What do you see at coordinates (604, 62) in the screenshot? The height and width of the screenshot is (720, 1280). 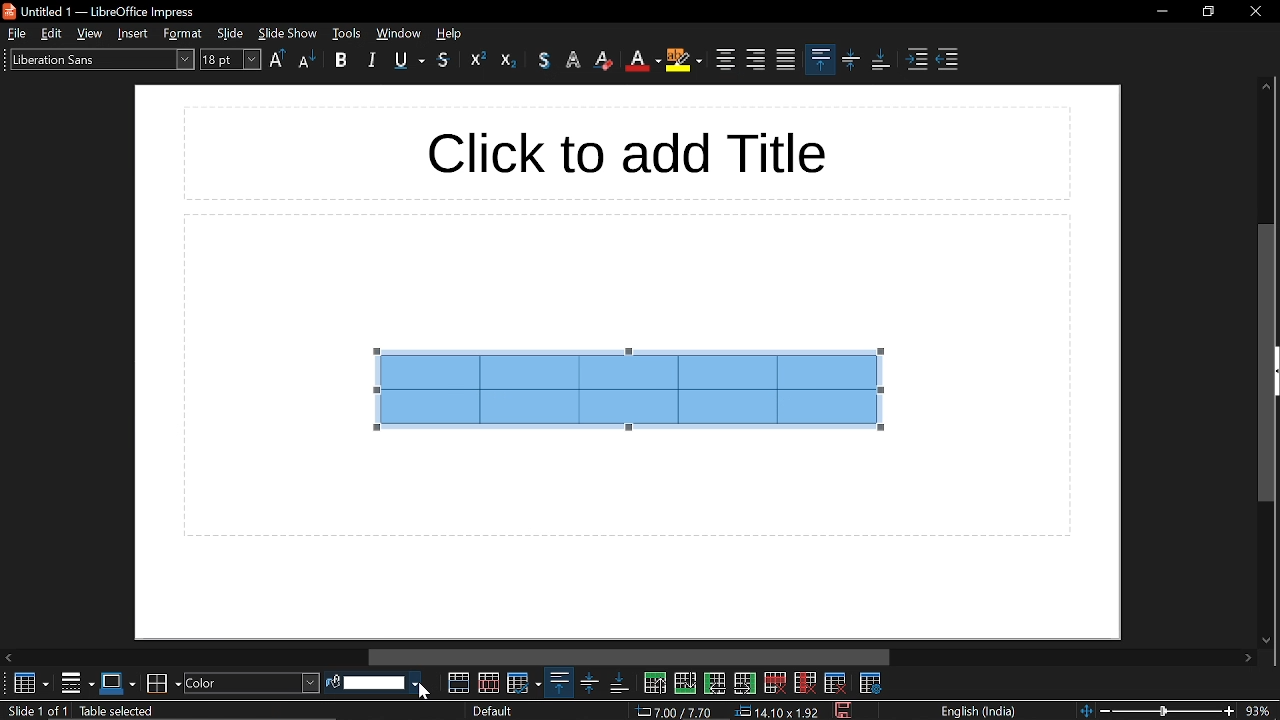 I see `eraser` at bounding box center [604, 62].